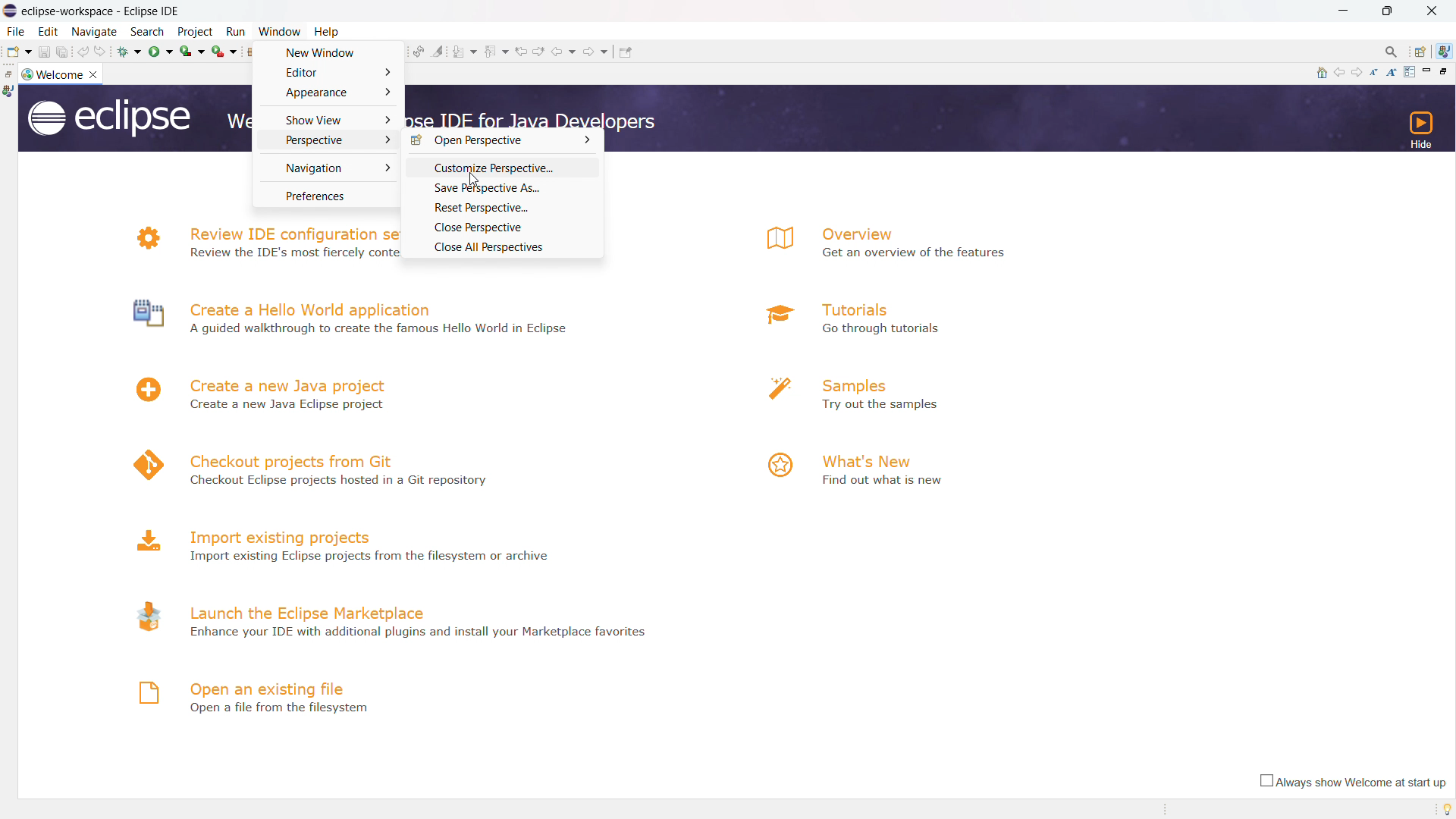 Image resolution: width=1456 pixels, height=819 pixels. What do you see at coordinates (26, 74) in the screenshot?
I see `logo` at bounding box center [26, 74].